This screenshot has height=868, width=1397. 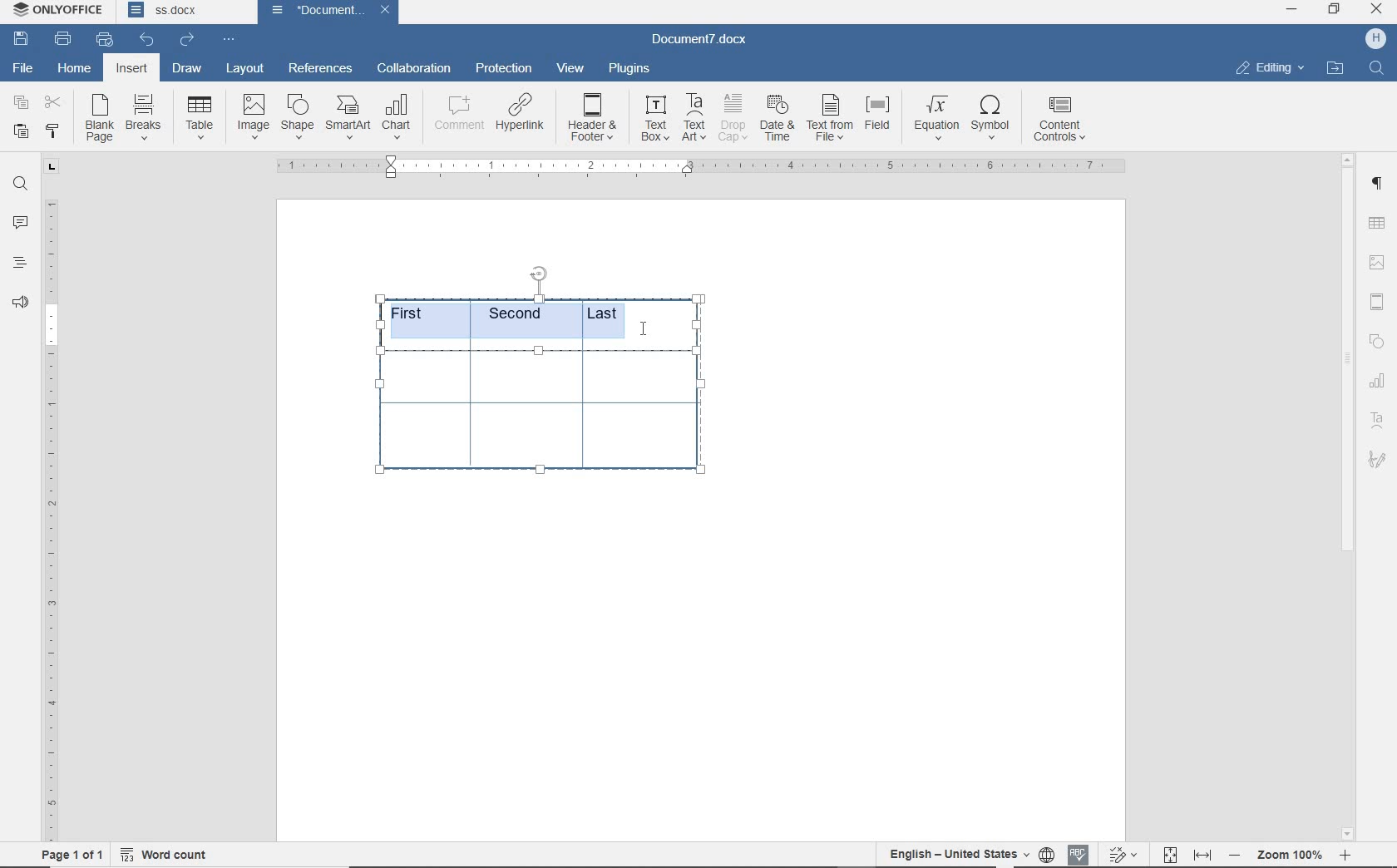 I want to click on zoom out or zoom in, so click(x=1294, y=852).